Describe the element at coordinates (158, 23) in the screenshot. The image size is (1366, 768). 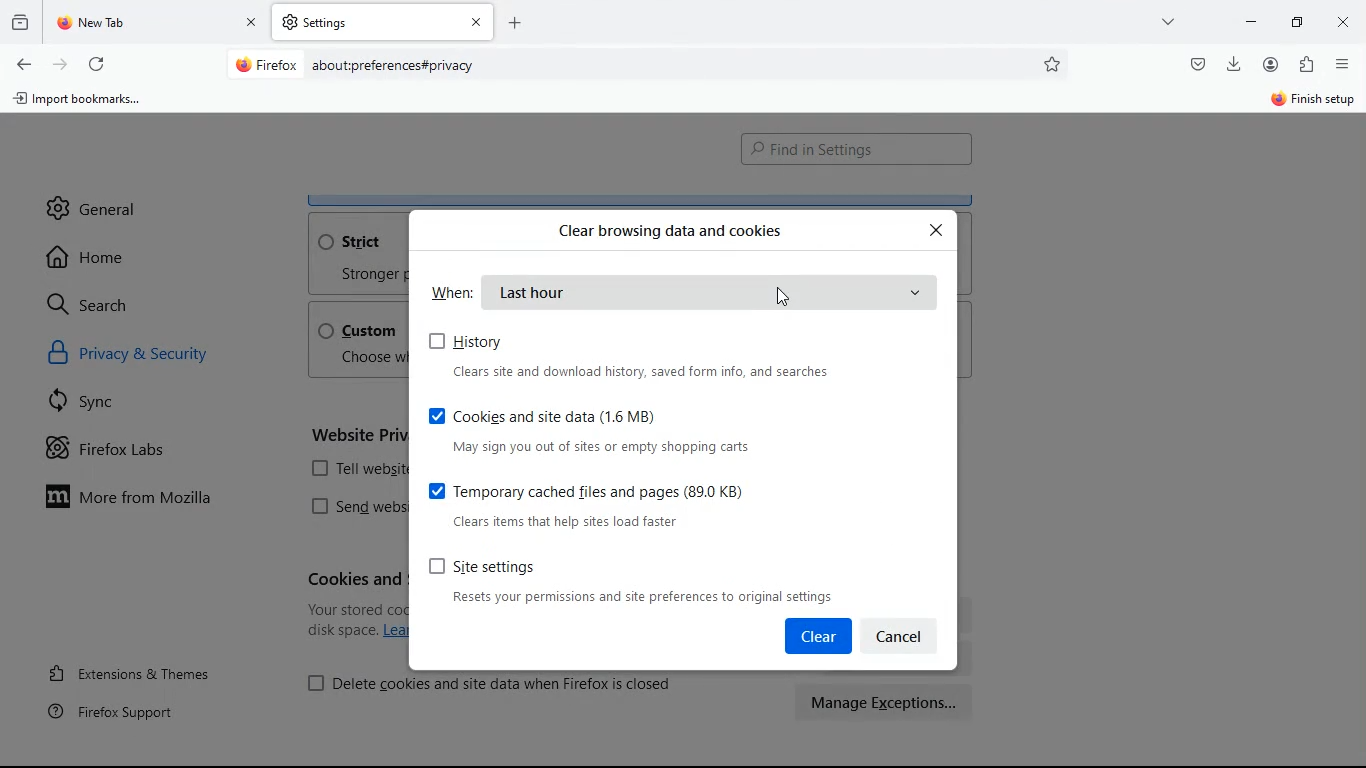
I see `tab` at that location.